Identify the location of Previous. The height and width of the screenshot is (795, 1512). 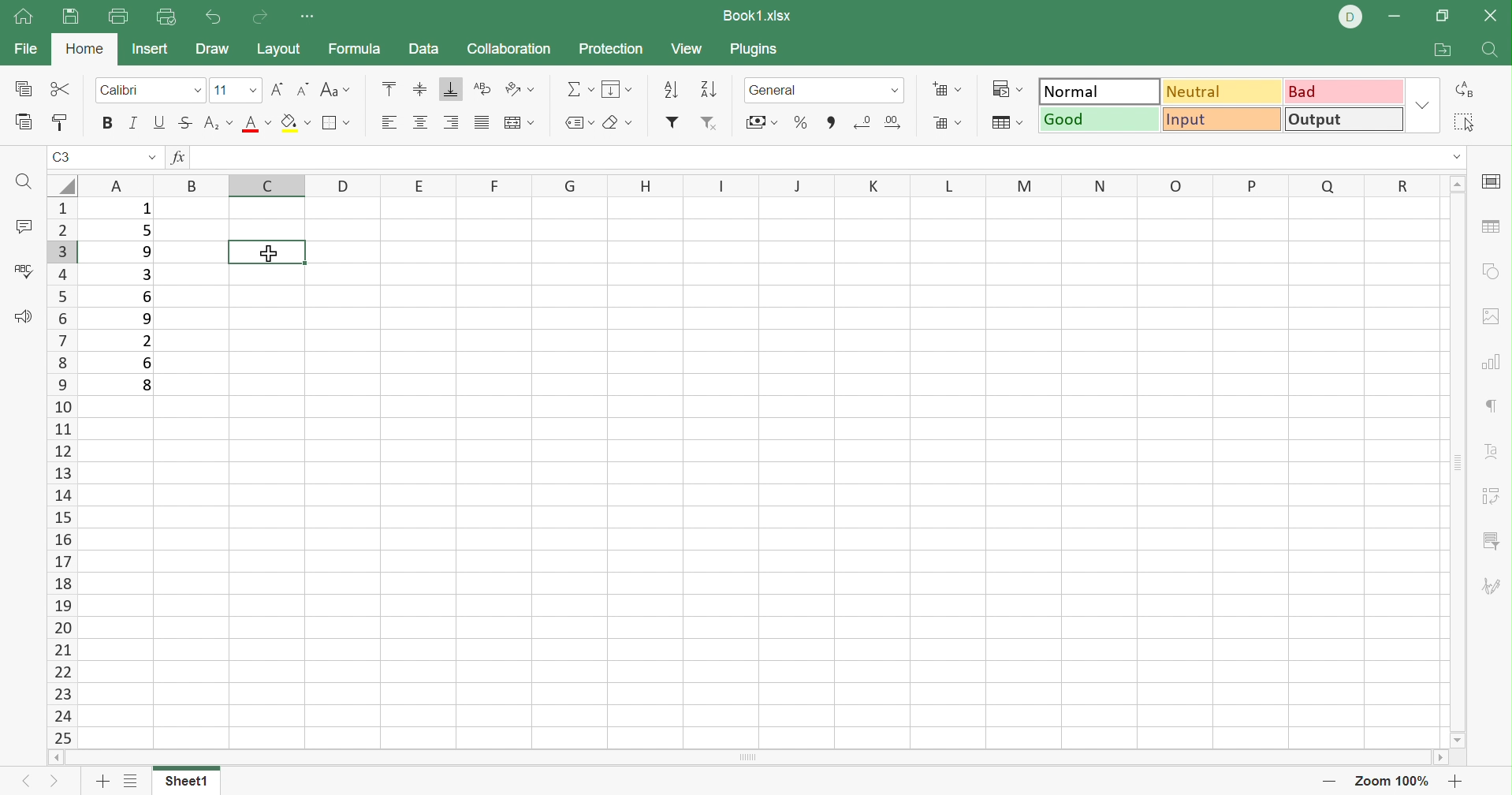
(27, 784).